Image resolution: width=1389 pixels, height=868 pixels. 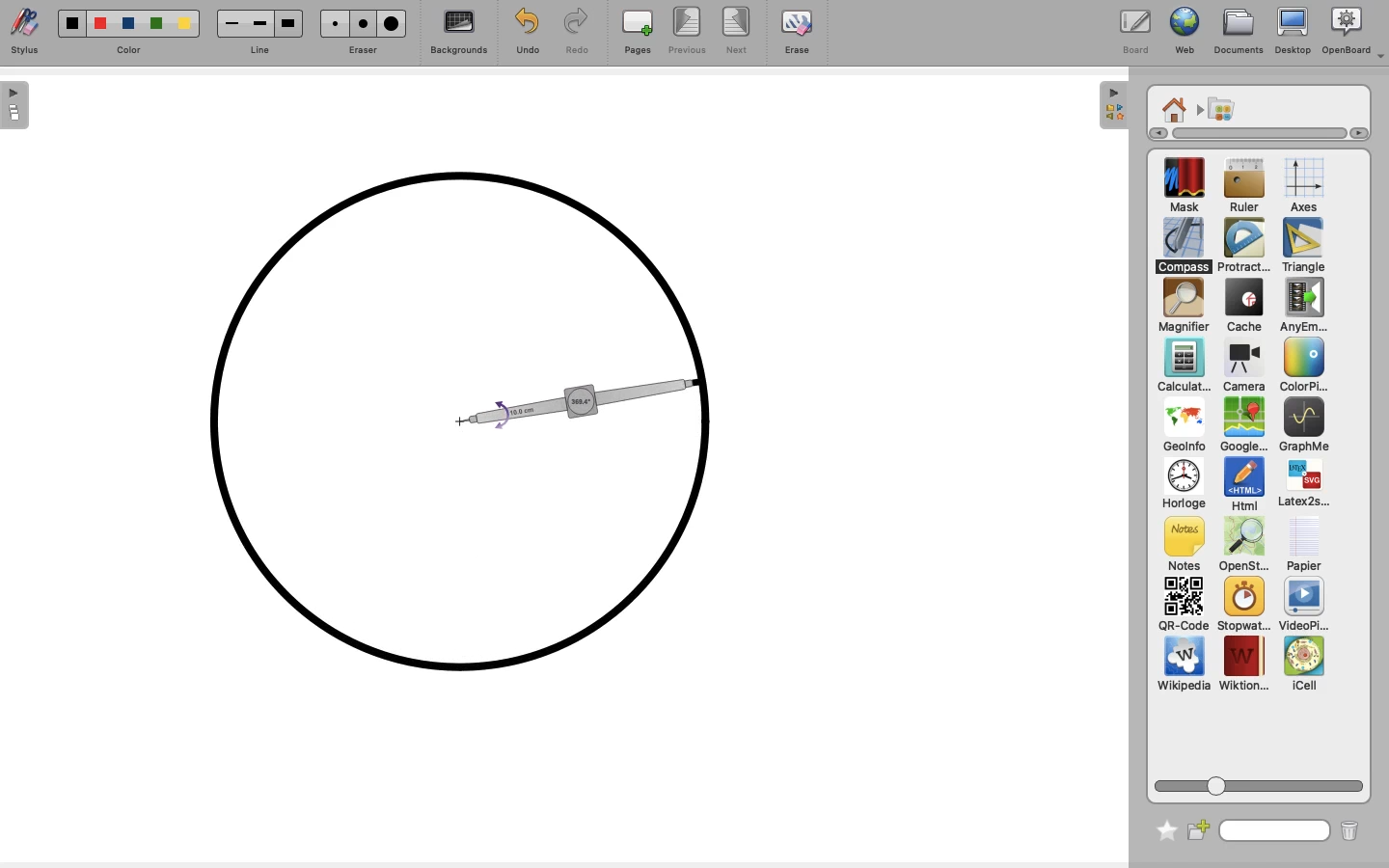 I want to click on line1, so click(x=231, y=22).